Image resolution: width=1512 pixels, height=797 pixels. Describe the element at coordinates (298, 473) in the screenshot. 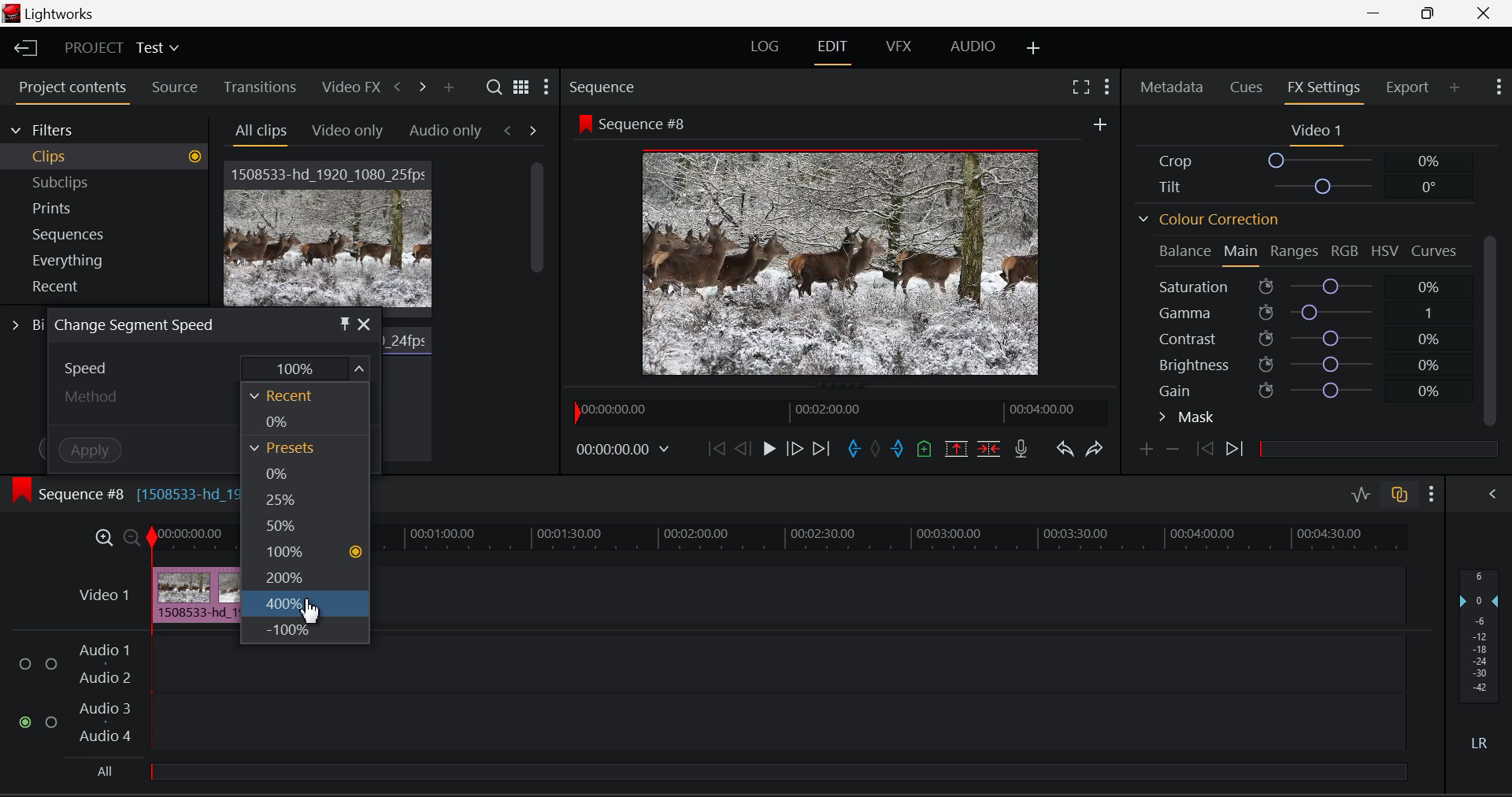

I see `0%` at that location.